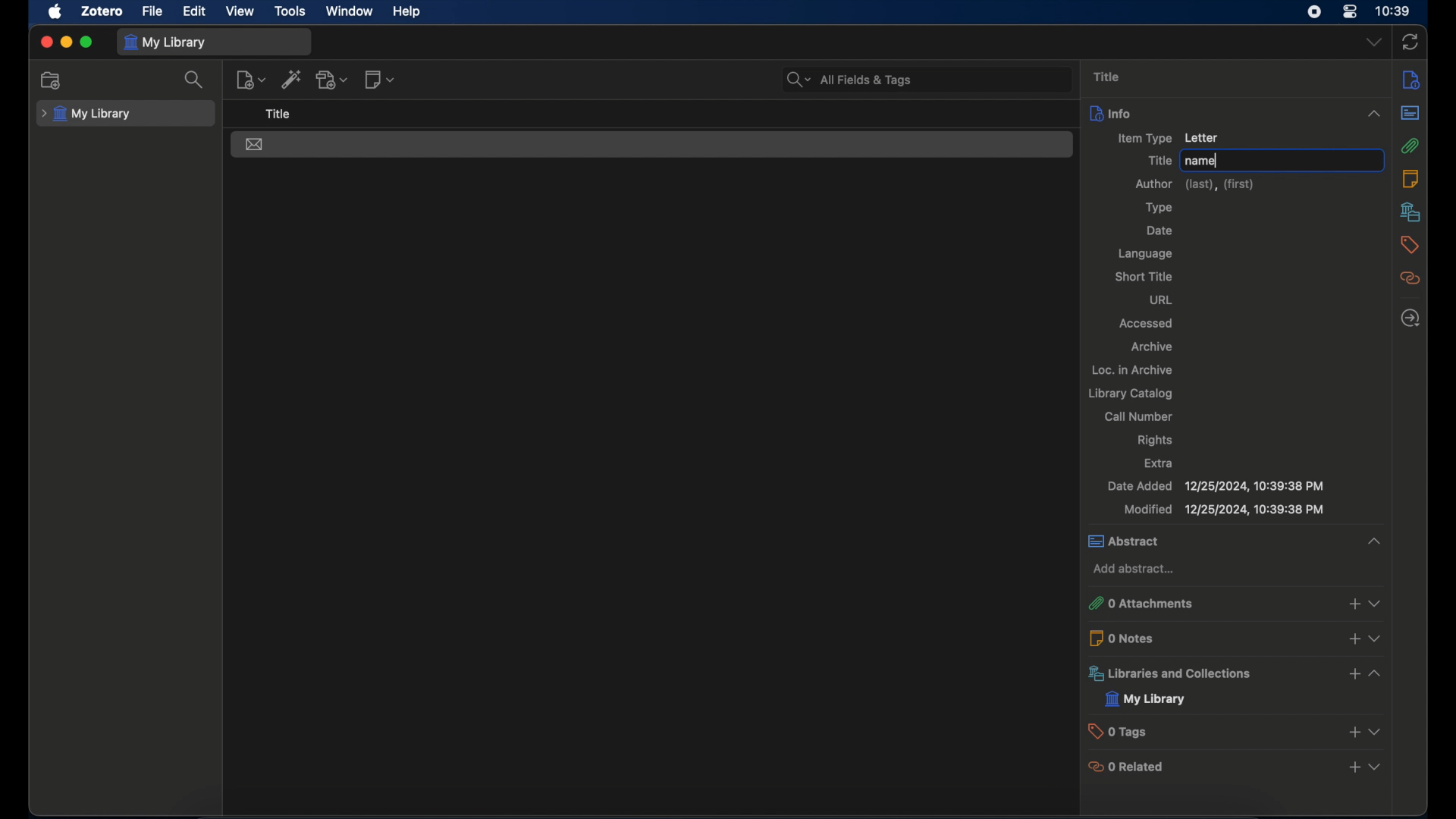  What do you see at coordinates (103, 11) in the screenshot?
I see `zotero` at bounding box center [103, 11].